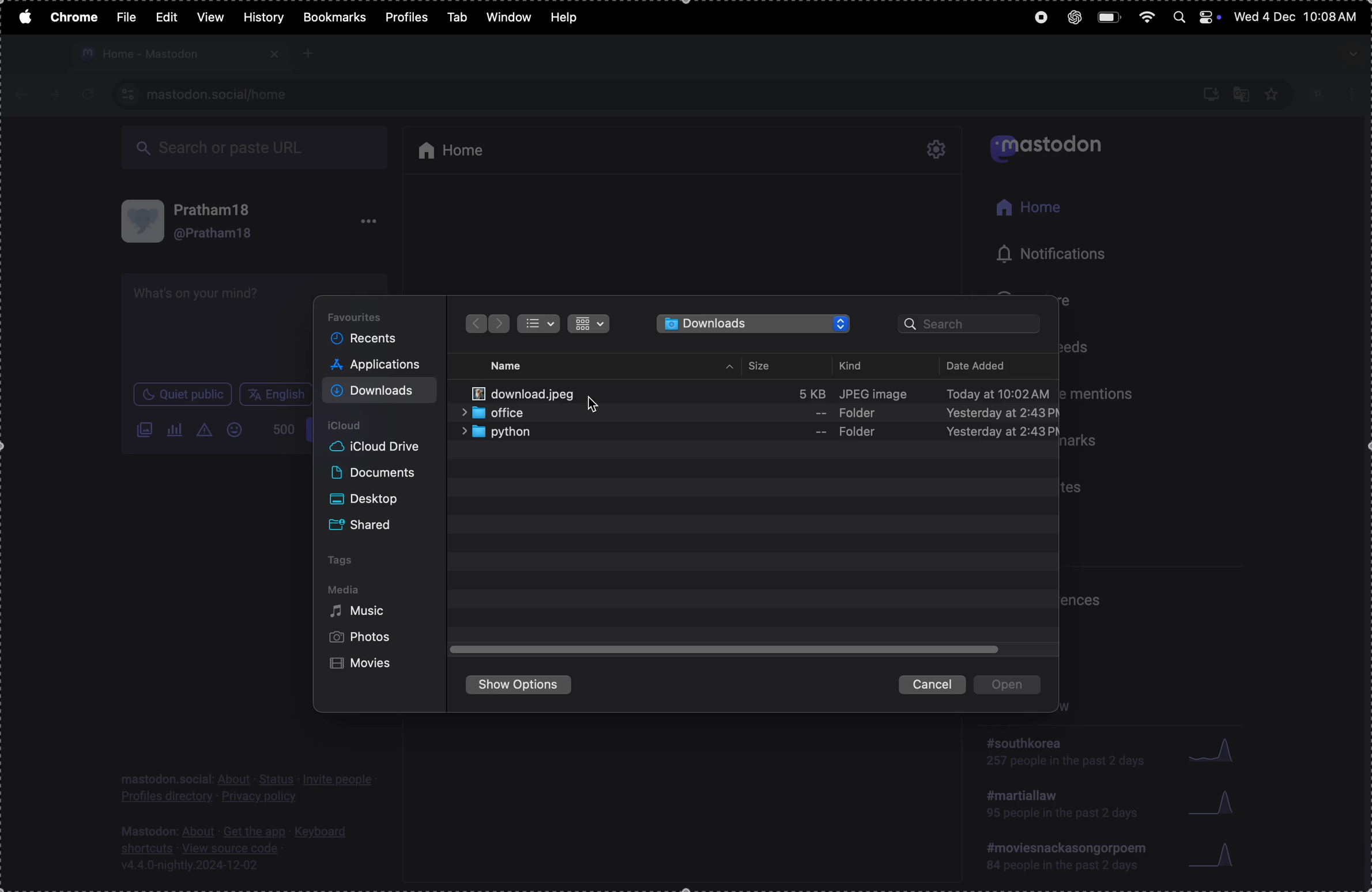  Describe the element at coordinates (761, 390) in the screenshot. I see `image file` at that location.